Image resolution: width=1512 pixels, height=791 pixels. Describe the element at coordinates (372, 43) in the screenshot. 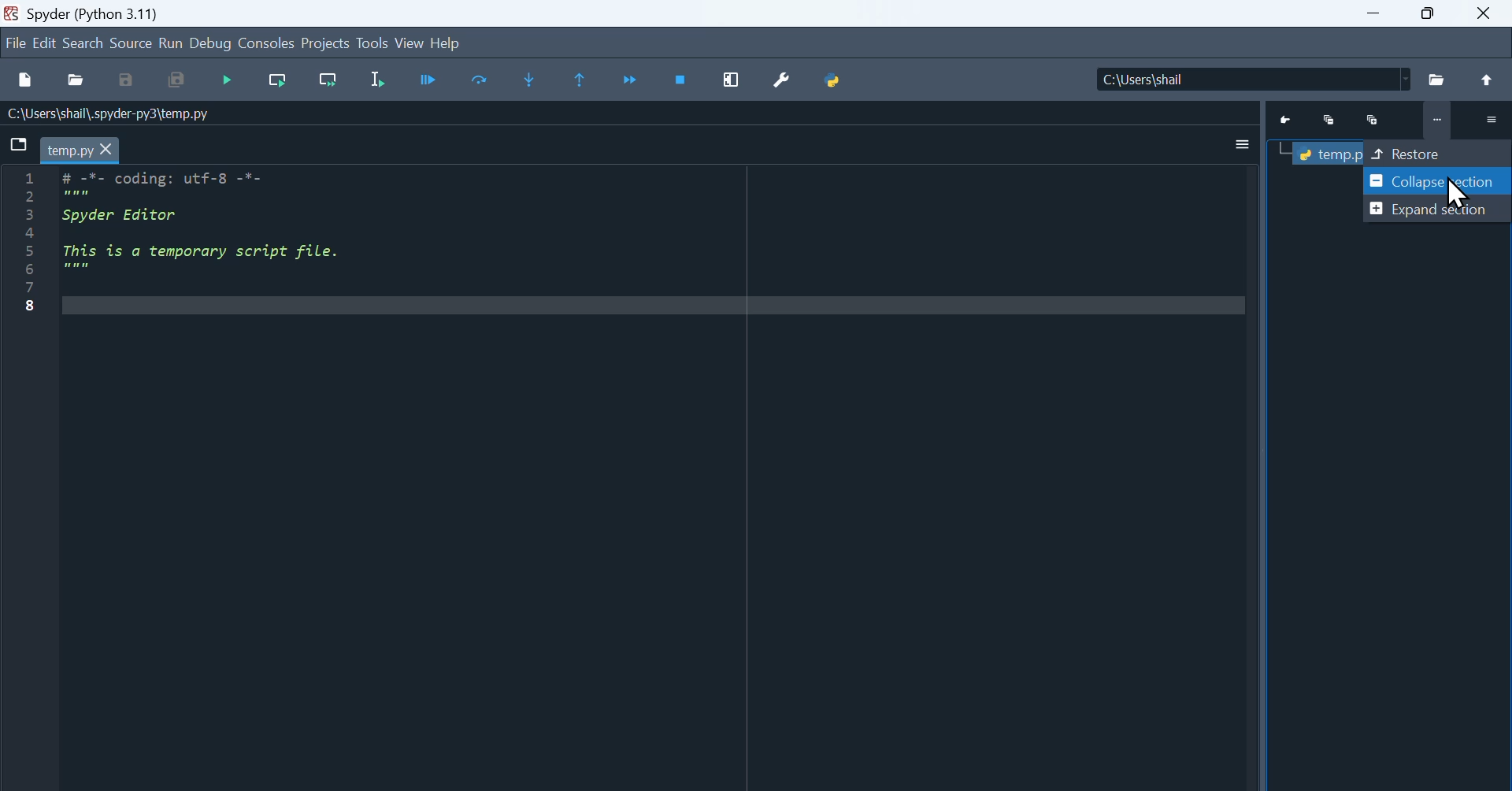

I see `Tools` at that location.